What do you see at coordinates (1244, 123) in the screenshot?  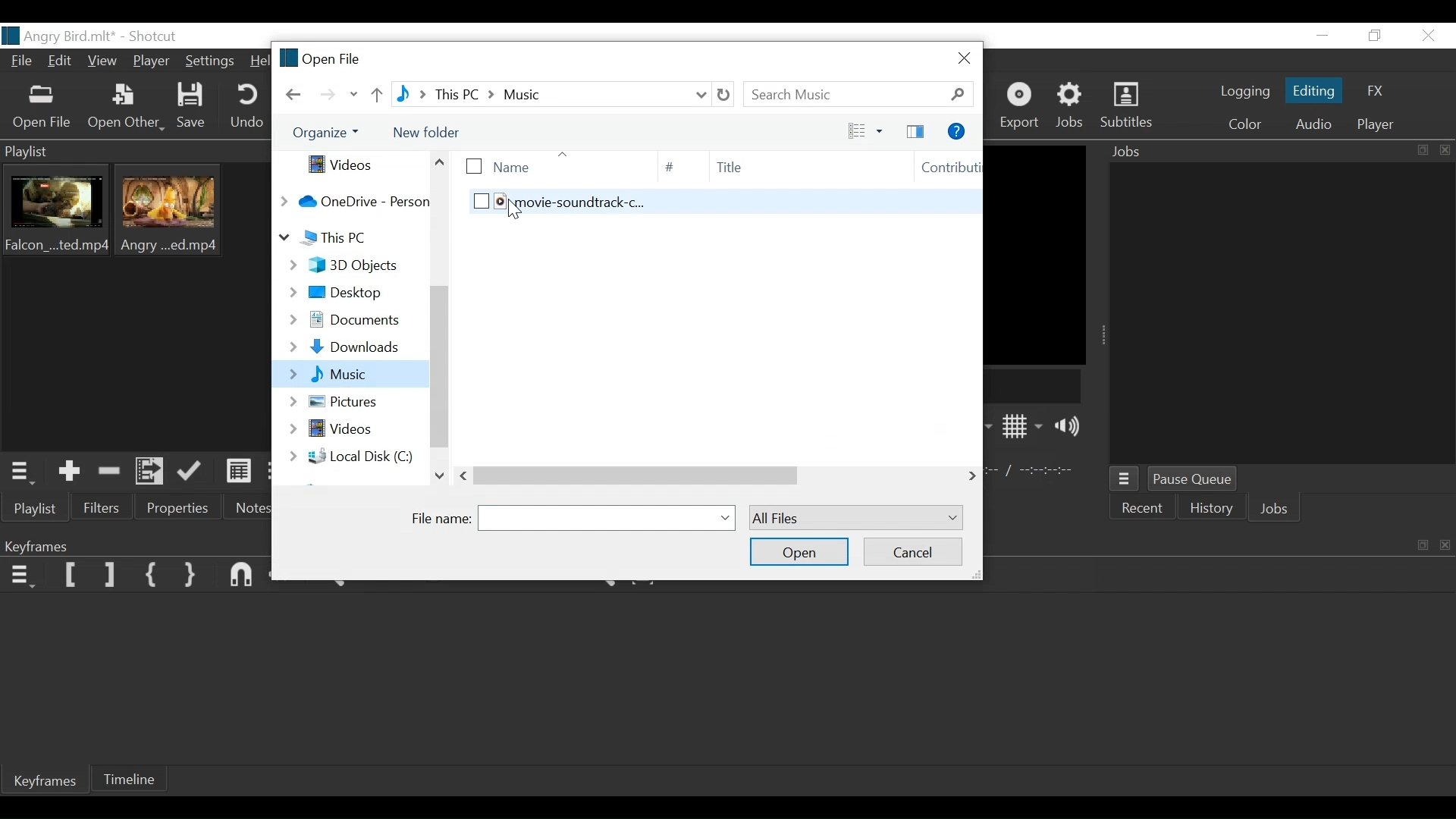 I see `Color` at bounding box center [1244, 123].